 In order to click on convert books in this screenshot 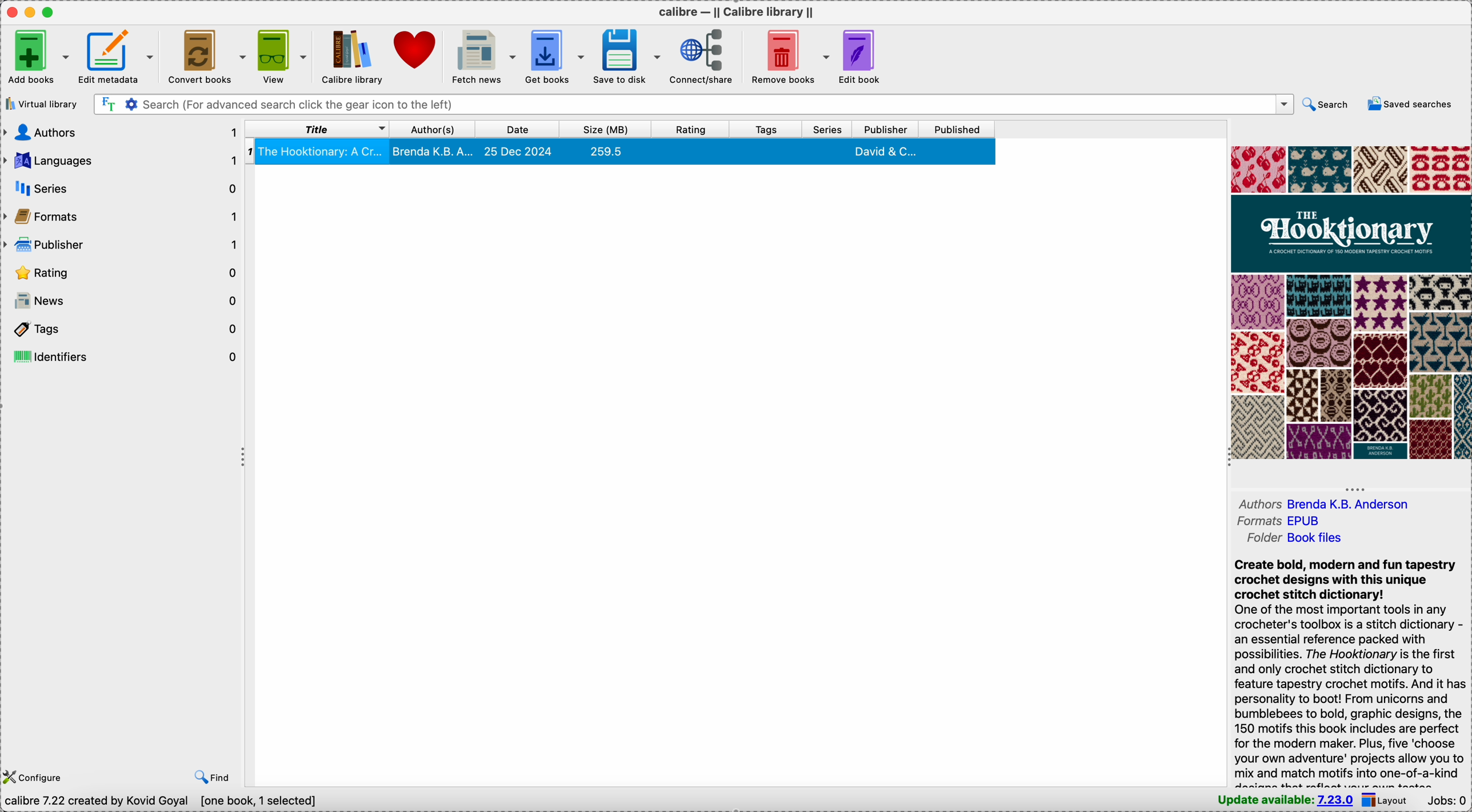, I will do `click(207, 56)`.